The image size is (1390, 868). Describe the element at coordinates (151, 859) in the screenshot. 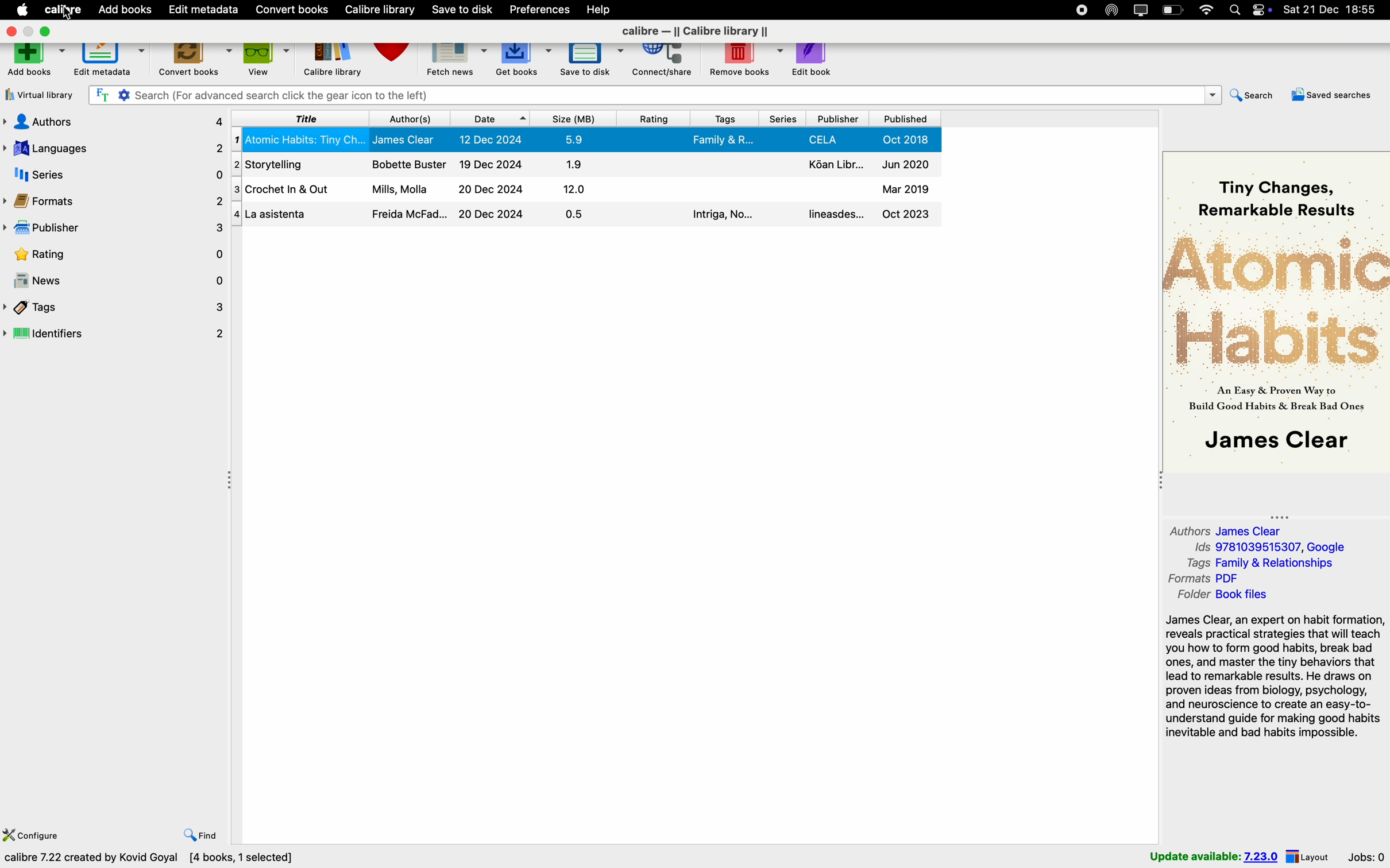

I see `Calibre 7.22 created by Kovid Goyal [4 books, 1 selected]` at that location.